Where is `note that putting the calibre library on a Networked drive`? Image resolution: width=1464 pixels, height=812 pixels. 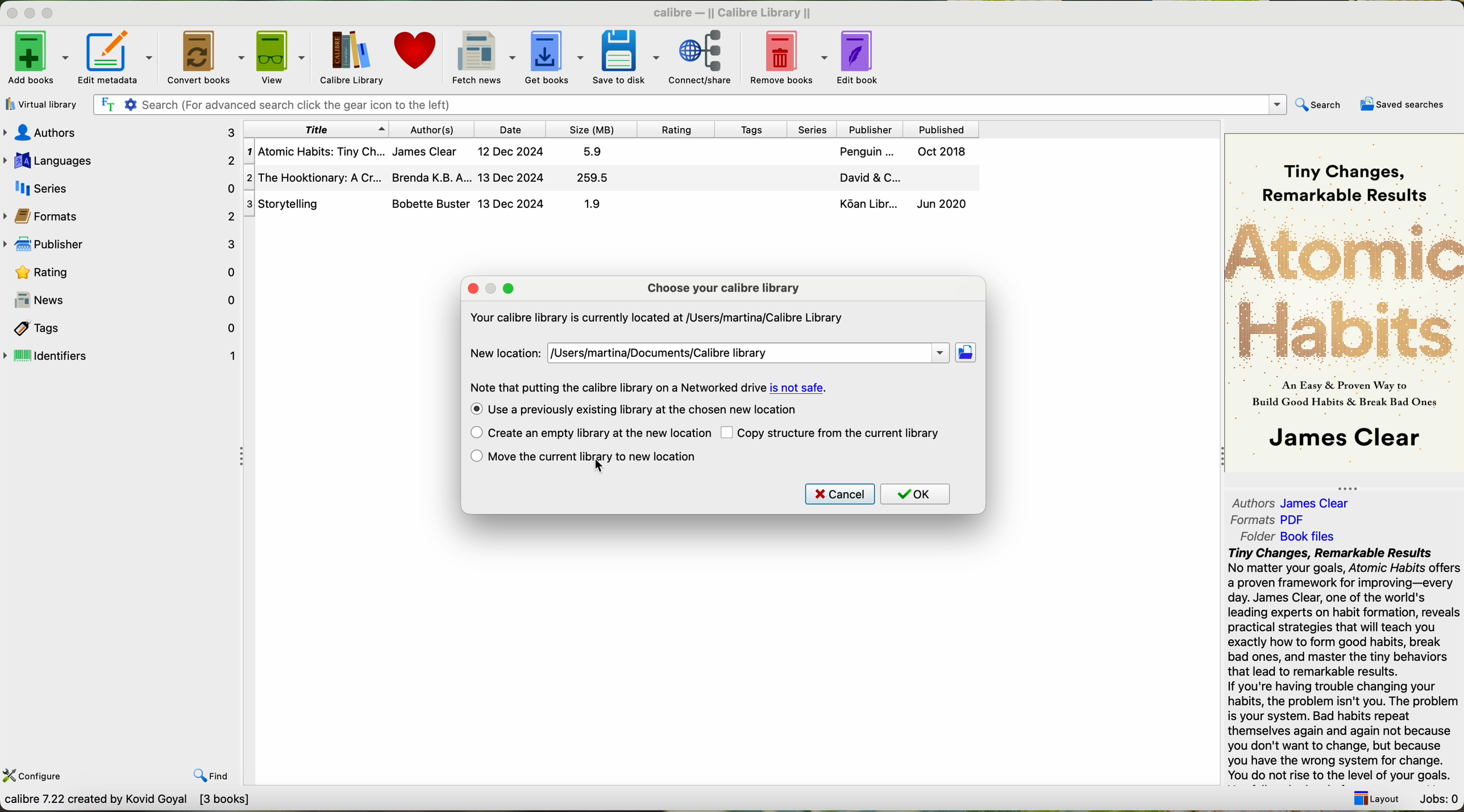 note that putting the calibre library on a Networked drive is located at coordinates (617, 387).